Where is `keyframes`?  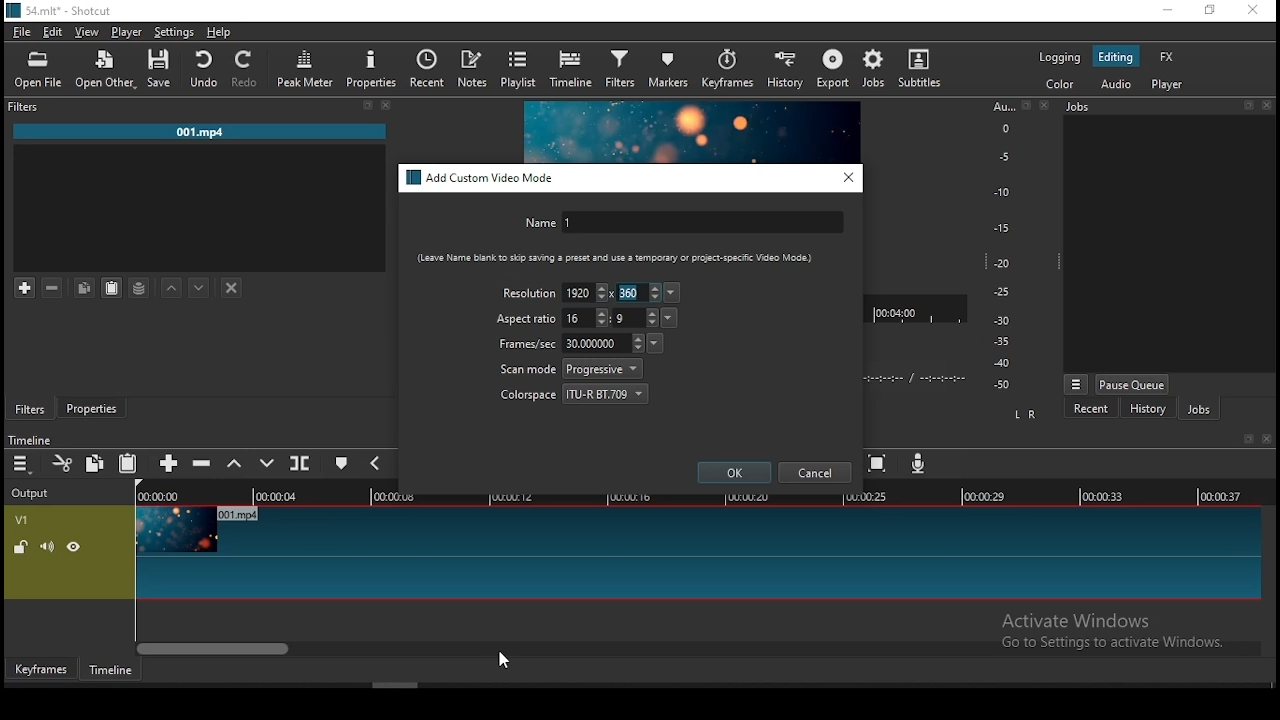
keyframes is located at coordinates (727, 72).